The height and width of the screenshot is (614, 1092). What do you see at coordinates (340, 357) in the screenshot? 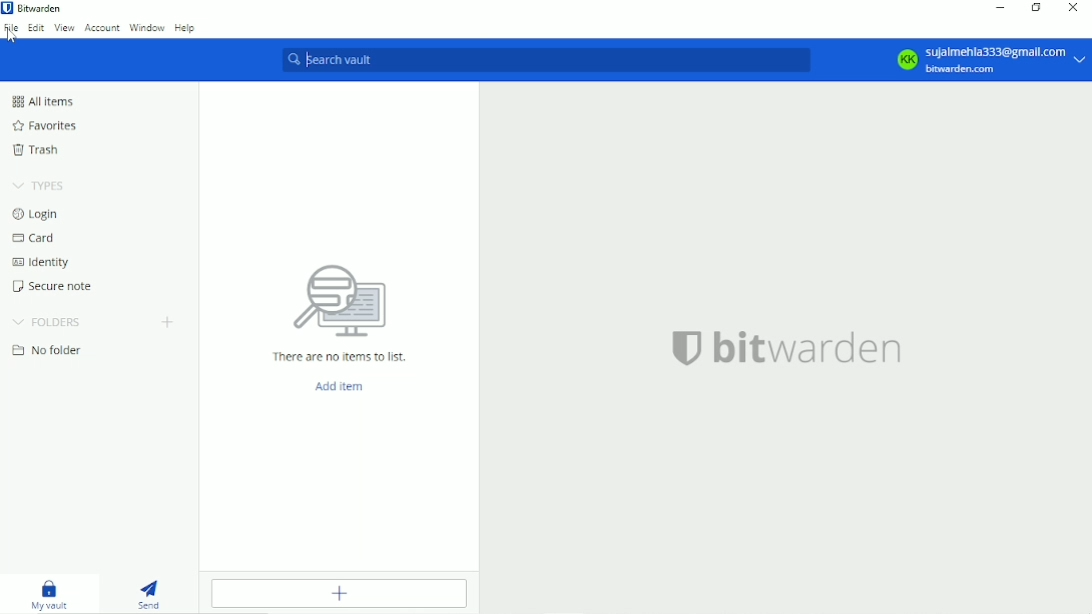
I see `There are no items to list` at bounding box center [340, 357].